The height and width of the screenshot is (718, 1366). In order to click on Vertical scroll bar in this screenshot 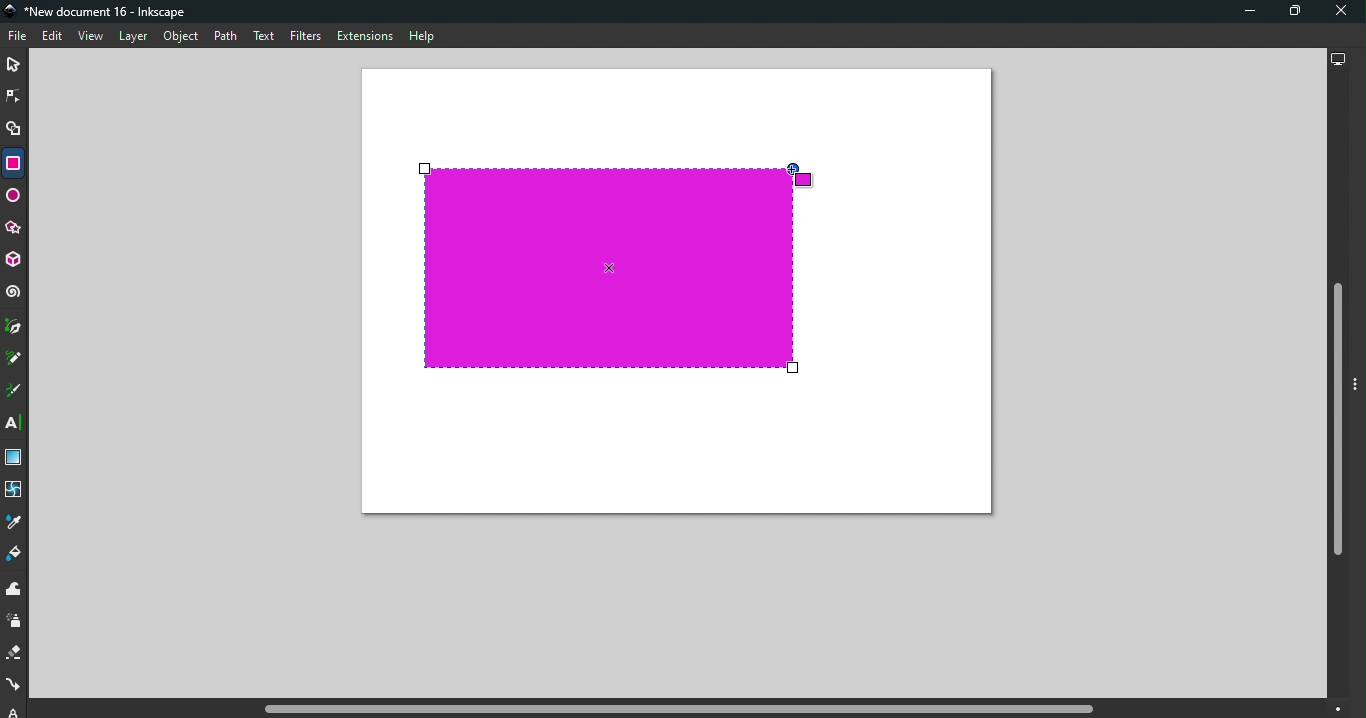, I will do `click(1336, 387)`.